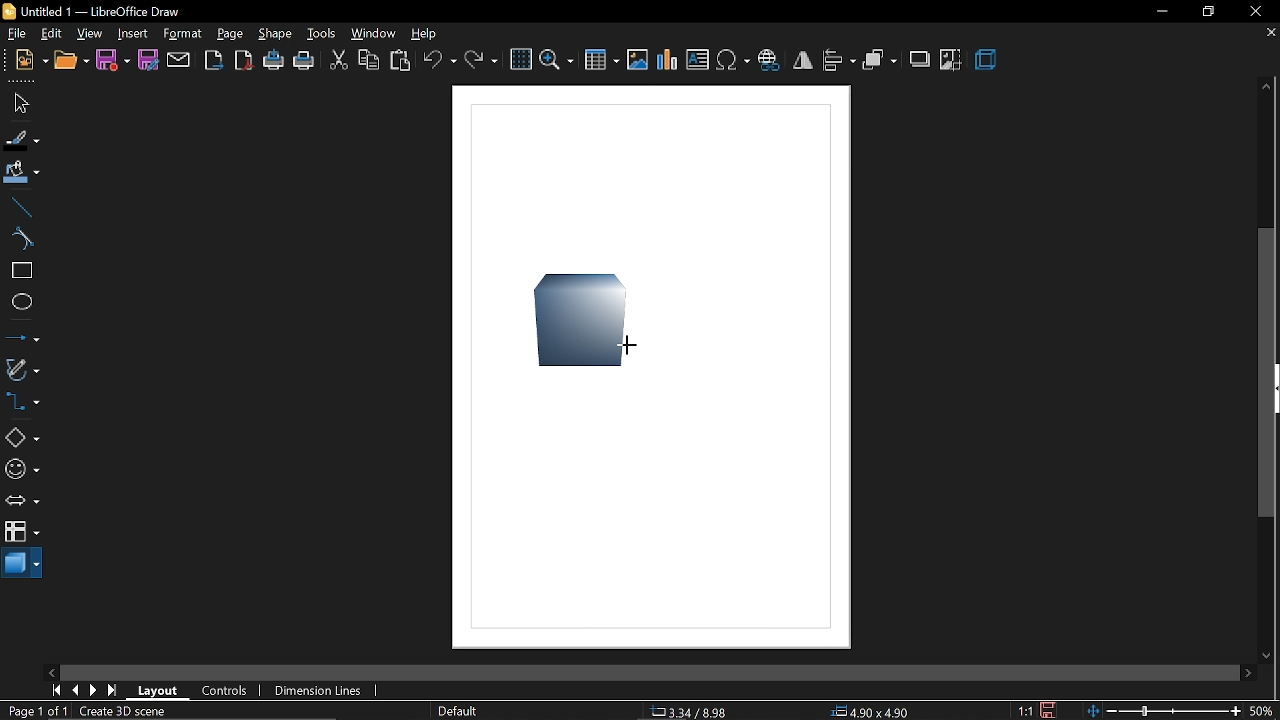 This screenshot has width=1280, height=720. What do you see at coordinates (521, 60) in the screenshot?
I see `grid` at bounding box center [521, 60].